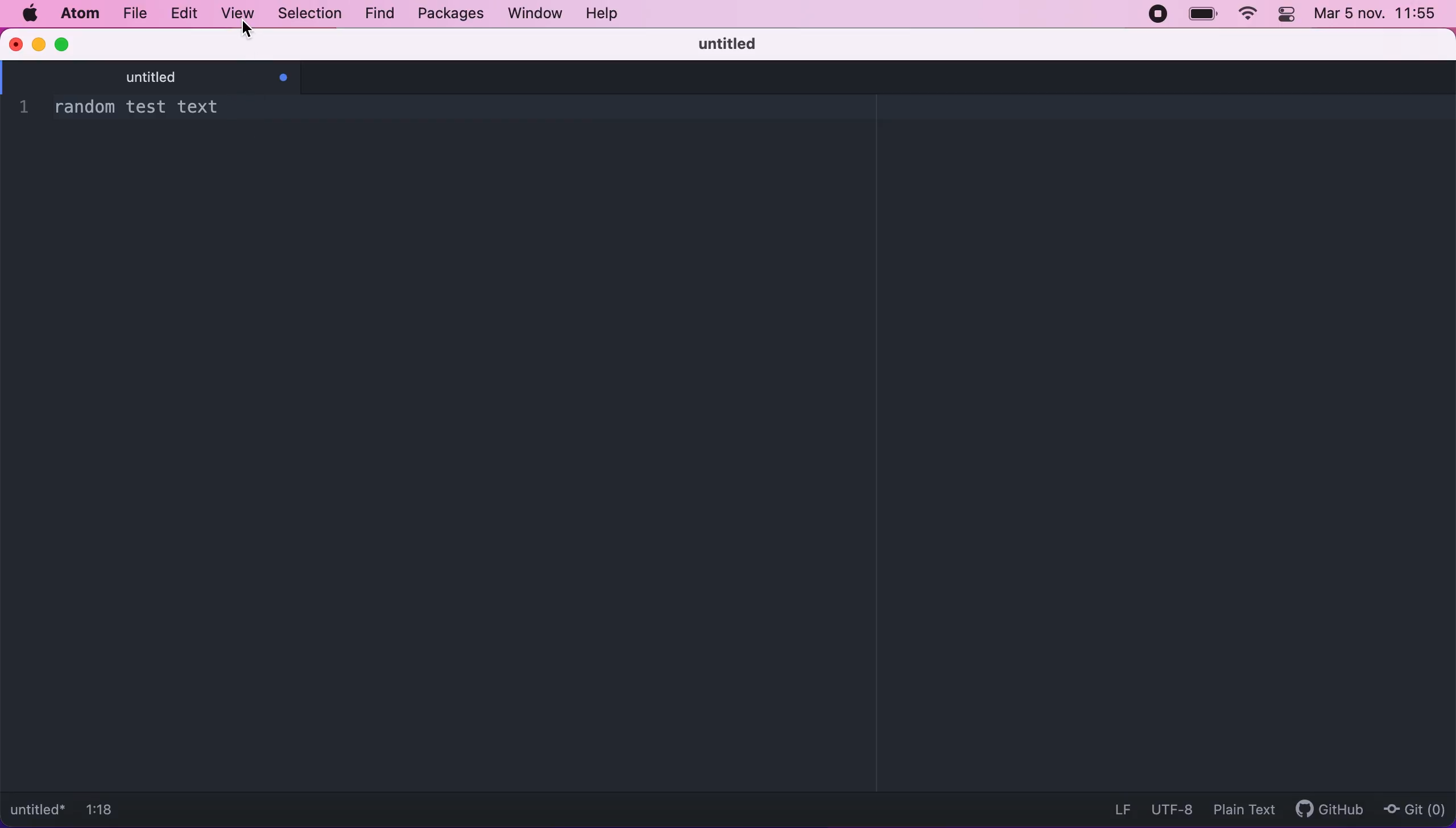 The width and height of the screenshot is (1456, 828). I want to click on mac logo, so click(31, 13).